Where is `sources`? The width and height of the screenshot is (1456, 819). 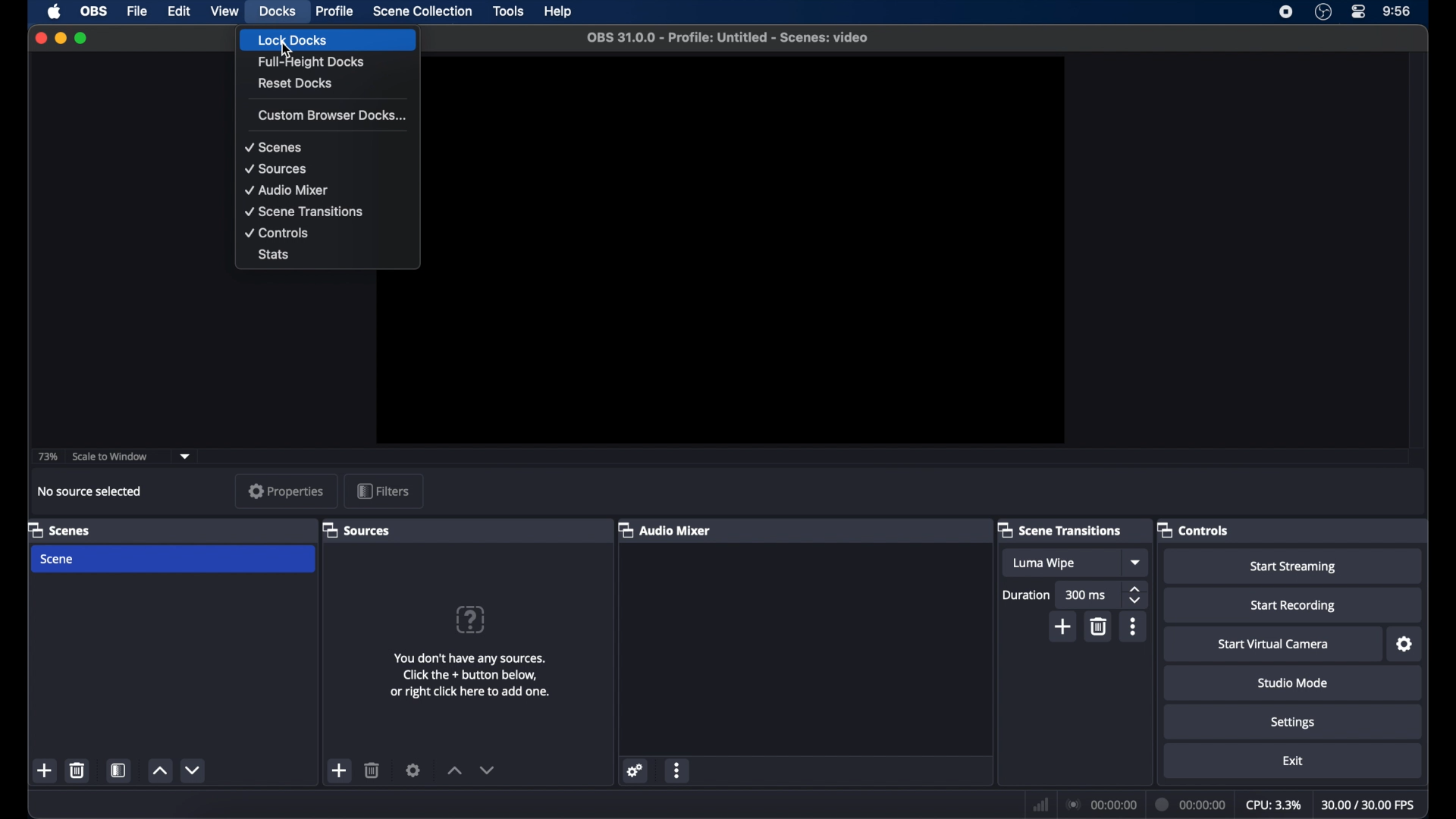 sources is located at coordinates (278, 169).